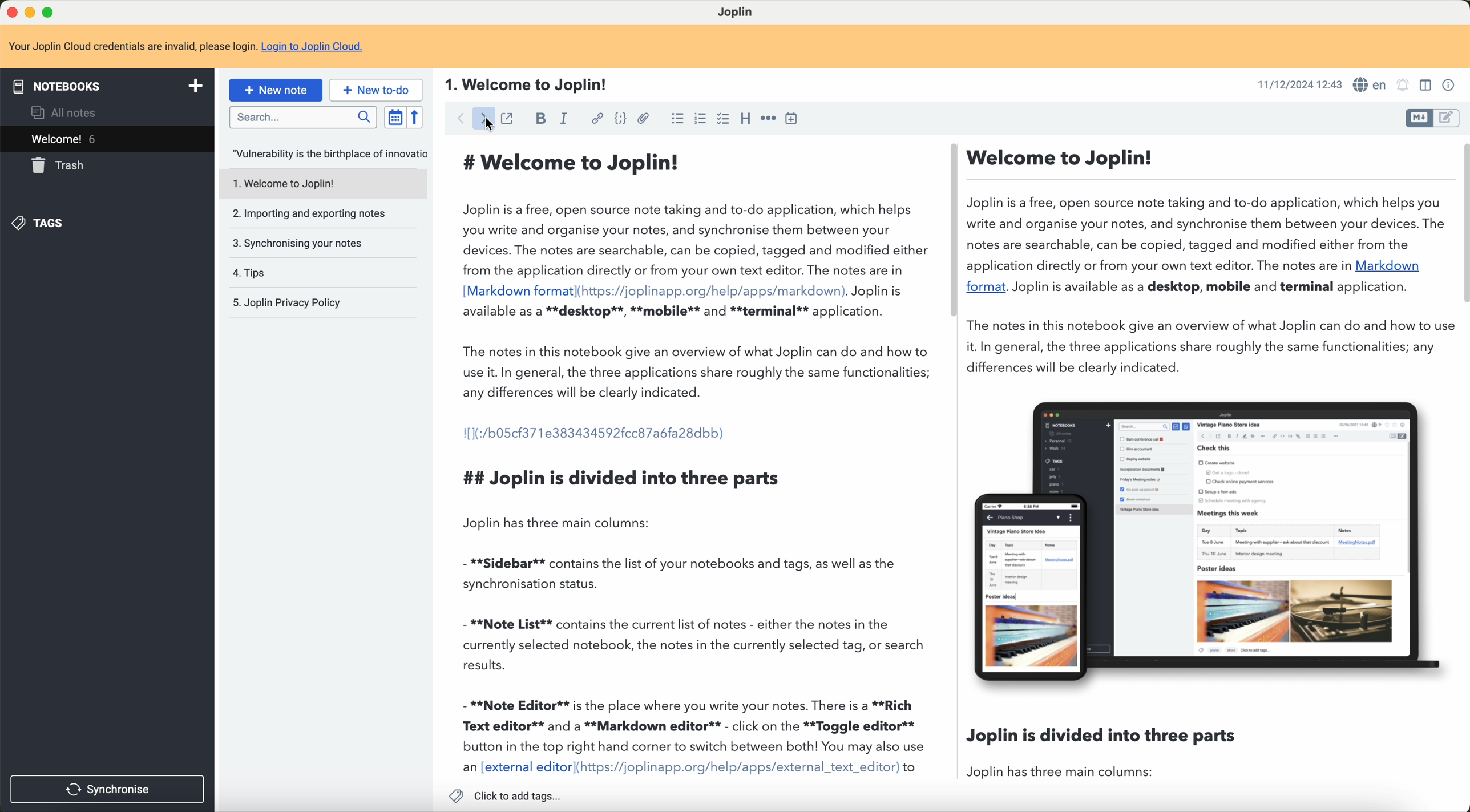 This screenshot has height=812, width=1470. What do you see at coordinates (455, 120) in the screenshot?
I see `click on back` at bounding box center [455, 120].